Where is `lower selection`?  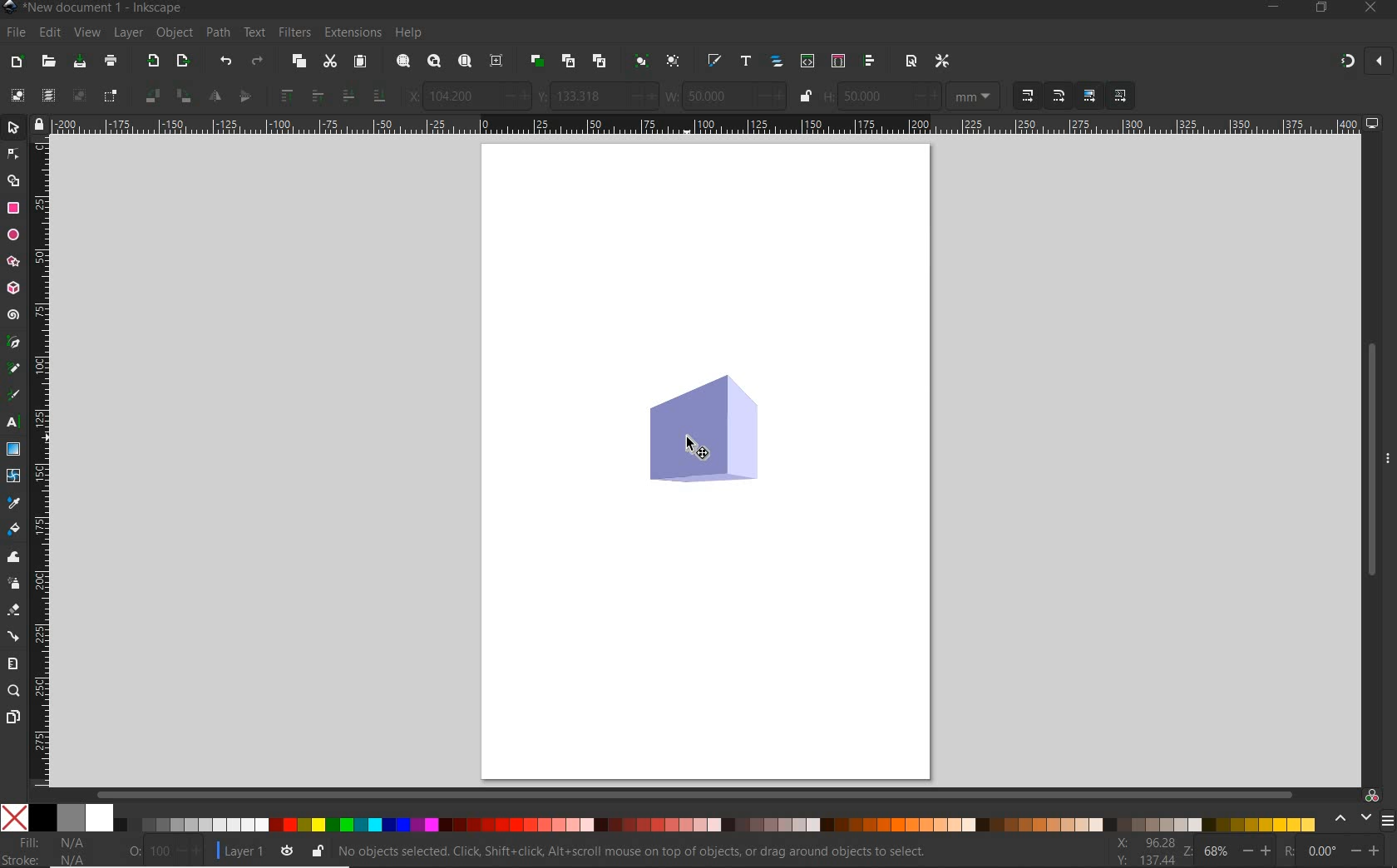
lower selection is located at coordinates (380, 96).